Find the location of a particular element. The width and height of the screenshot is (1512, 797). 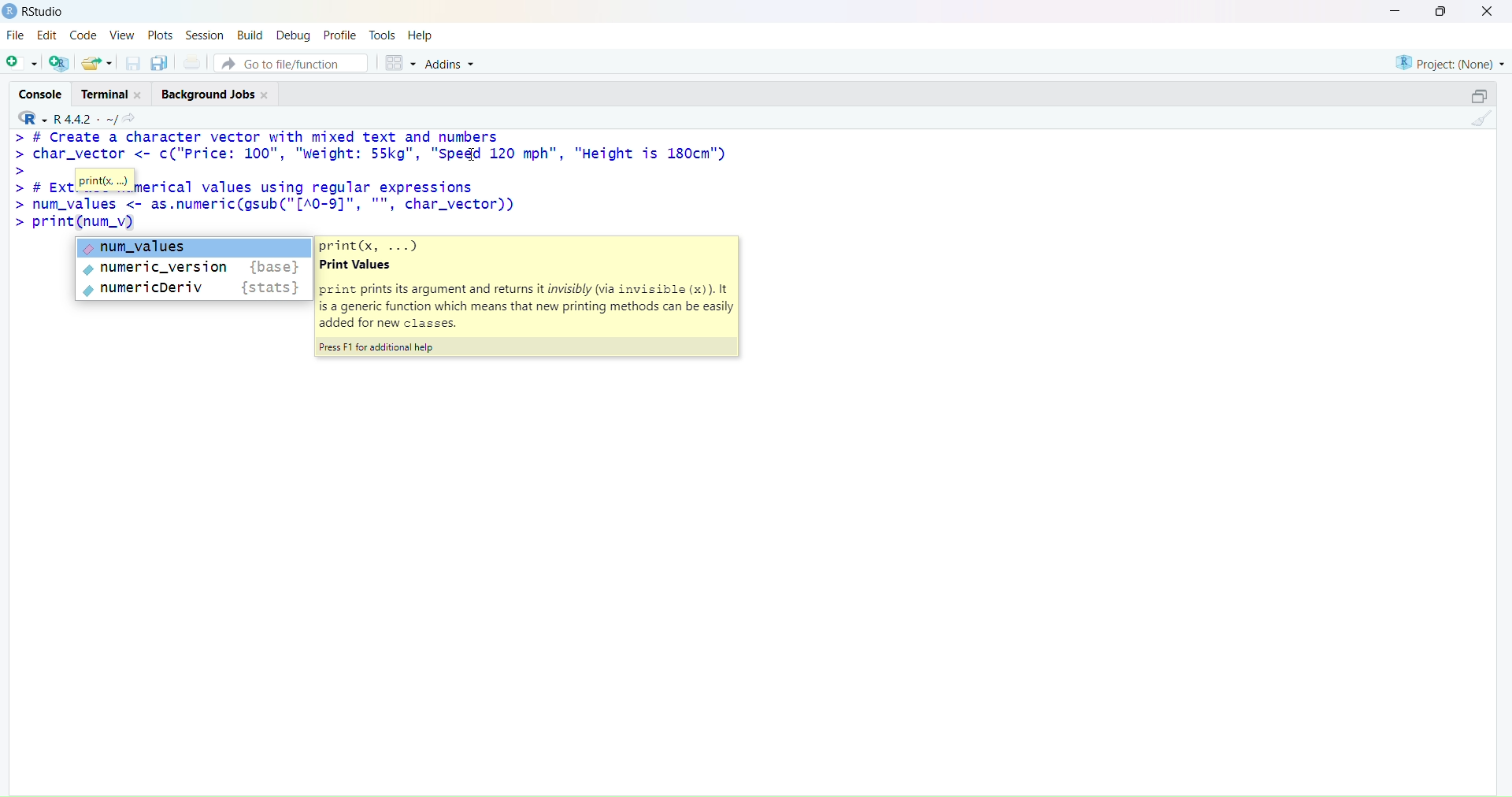

code is located at coordinates (83, 35).